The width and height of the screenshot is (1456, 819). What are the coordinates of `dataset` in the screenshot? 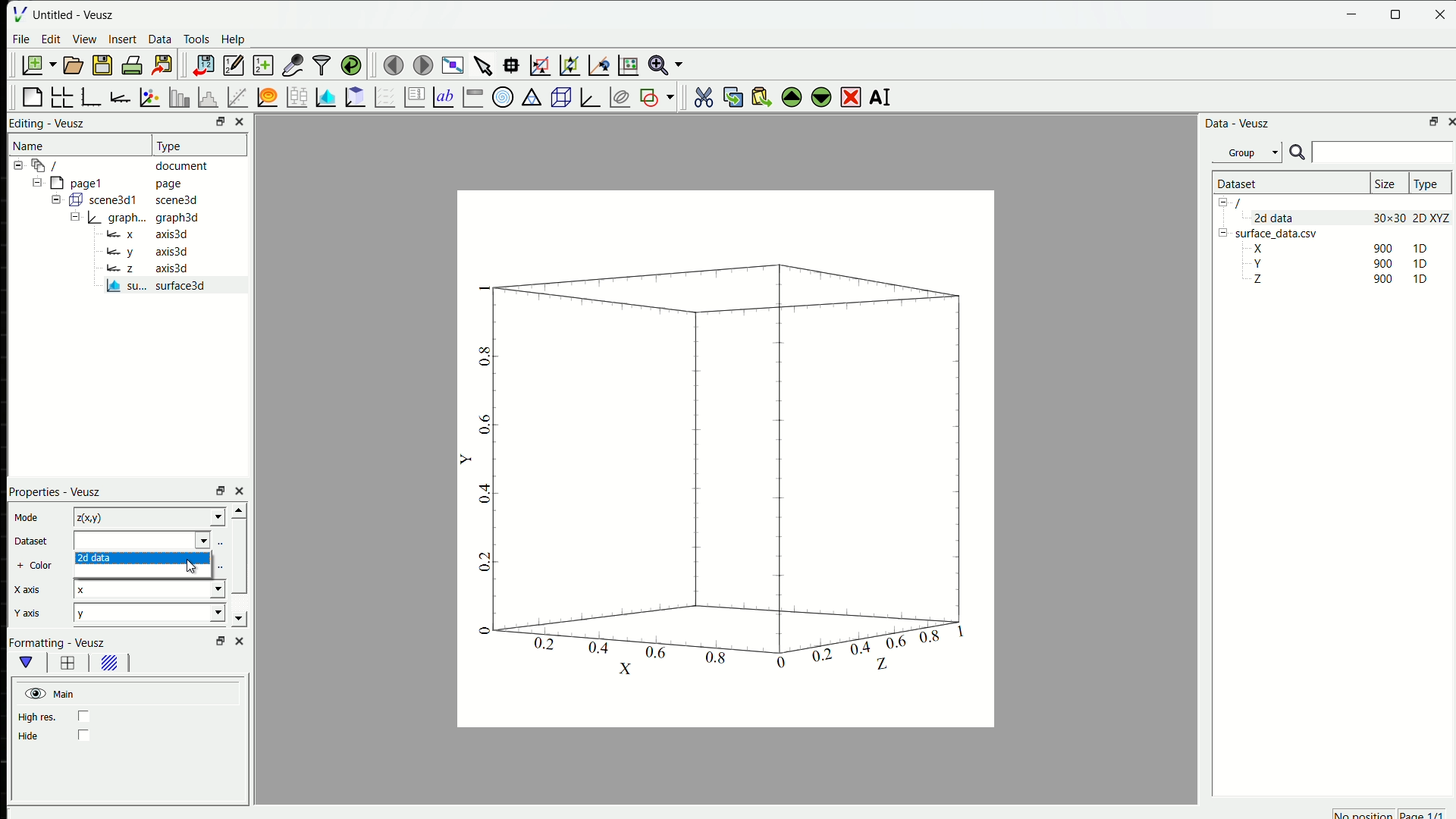 It's located at (133, 540).